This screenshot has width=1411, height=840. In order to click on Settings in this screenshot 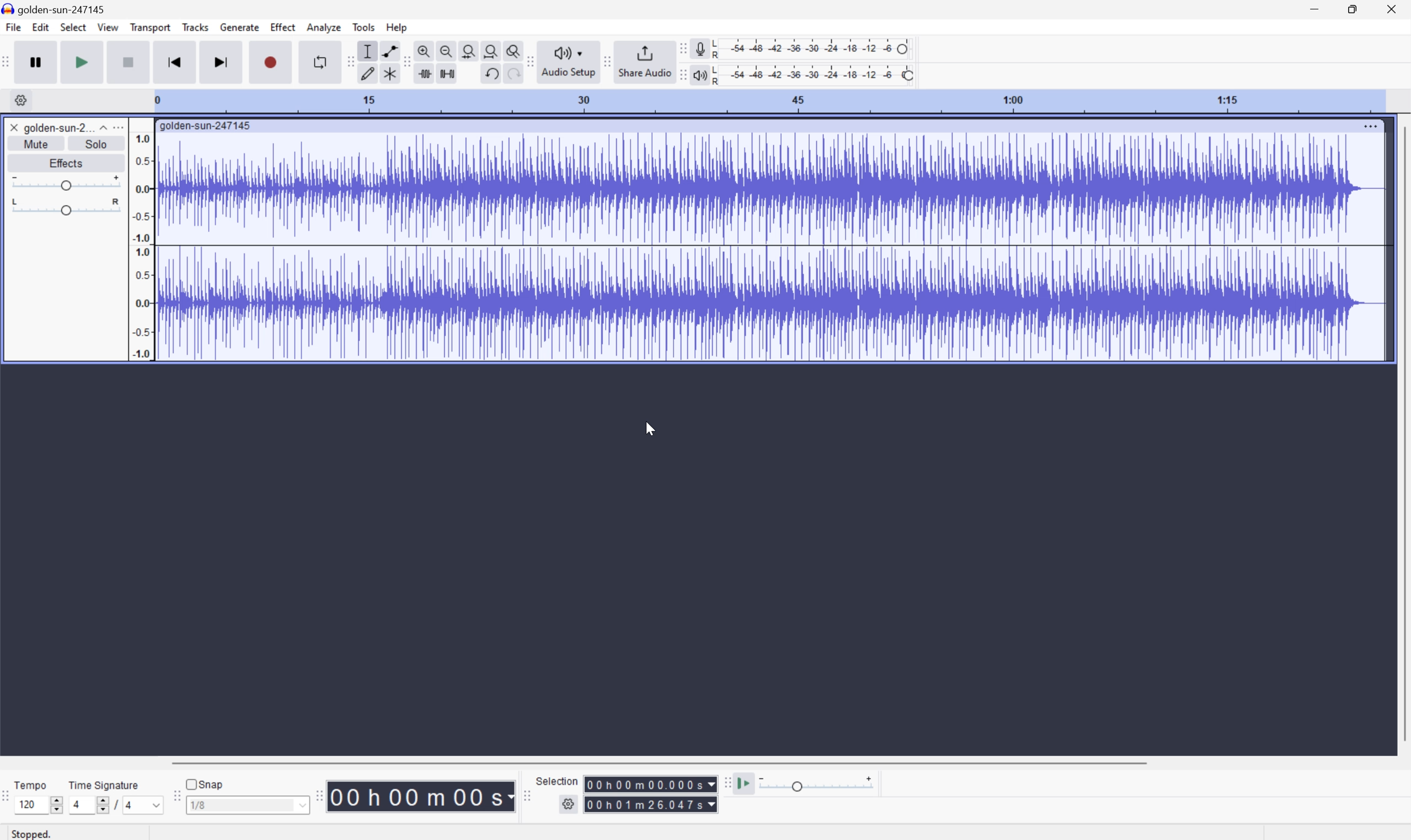, I will do `click(19, 100)`.